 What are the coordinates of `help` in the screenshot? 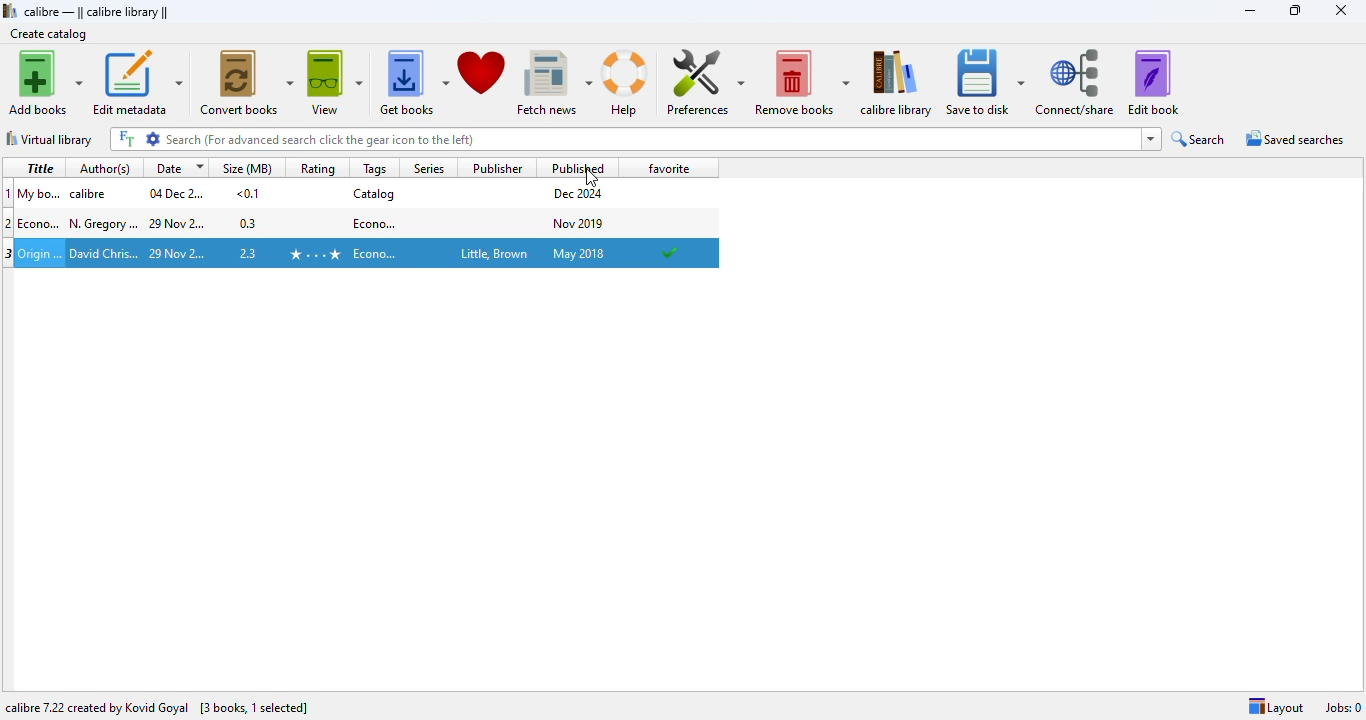 It's located at (627, 83).